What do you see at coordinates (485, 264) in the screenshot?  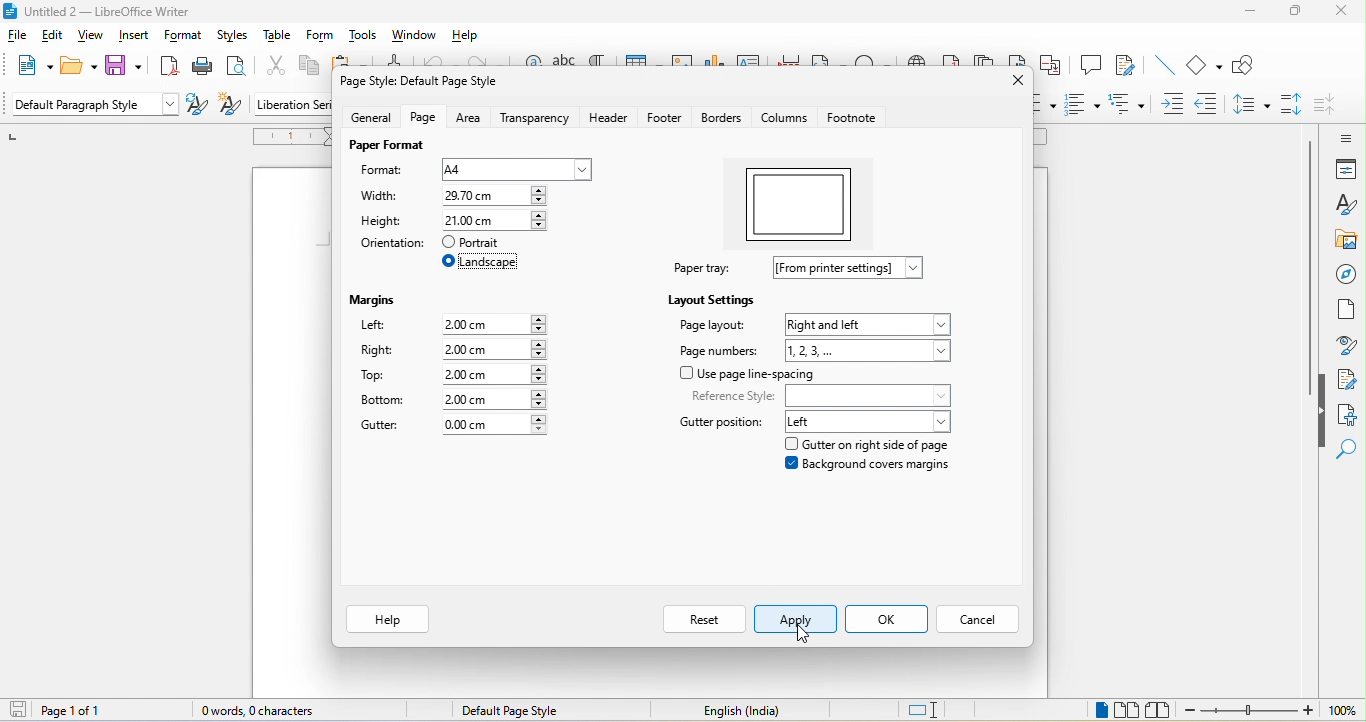 I see `select landscape orientation` at bounding box center [485, 264].